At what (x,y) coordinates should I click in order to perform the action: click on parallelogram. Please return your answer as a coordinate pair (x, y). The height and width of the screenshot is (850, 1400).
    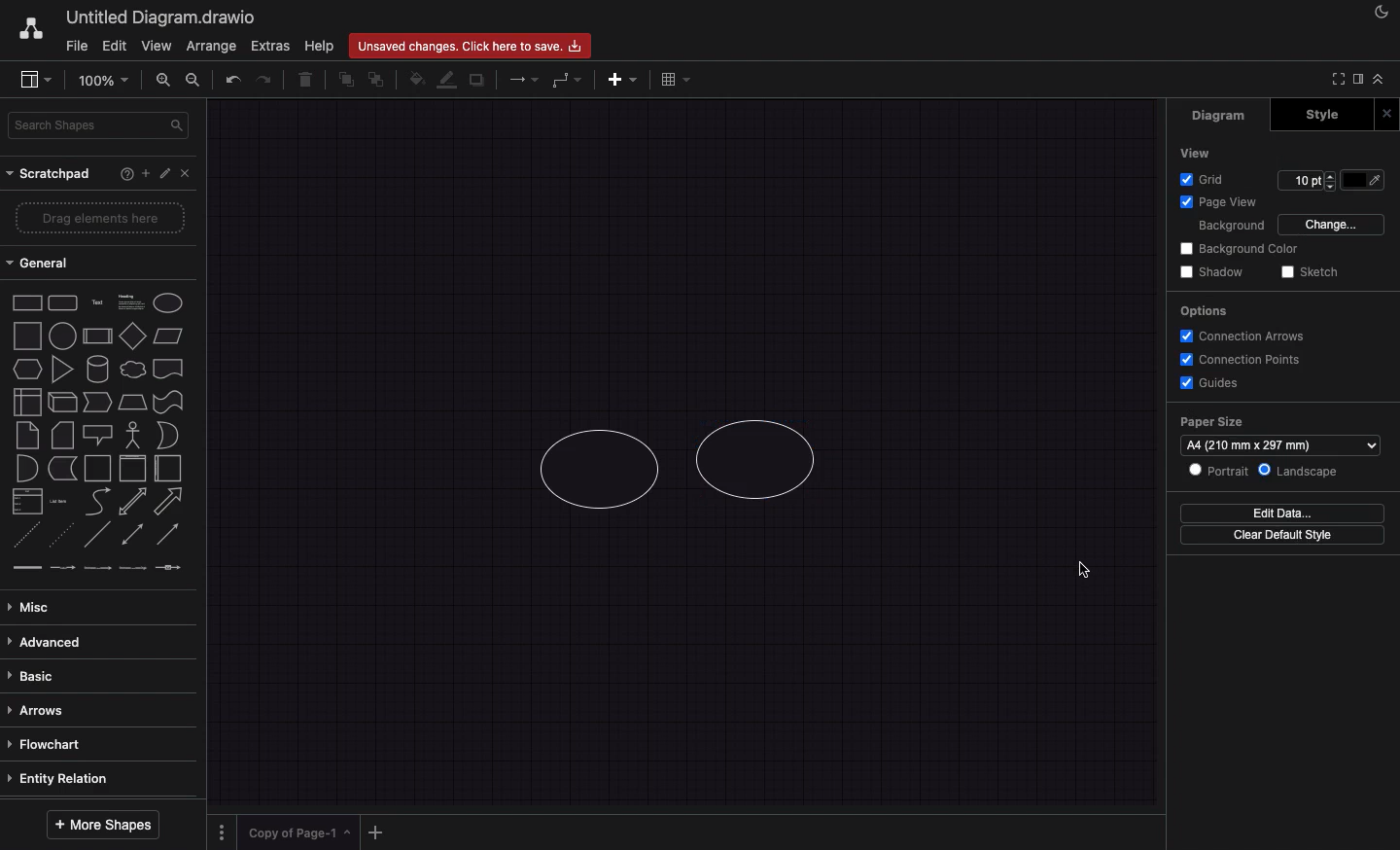
    Looking at the image, I should click on (170, 336).